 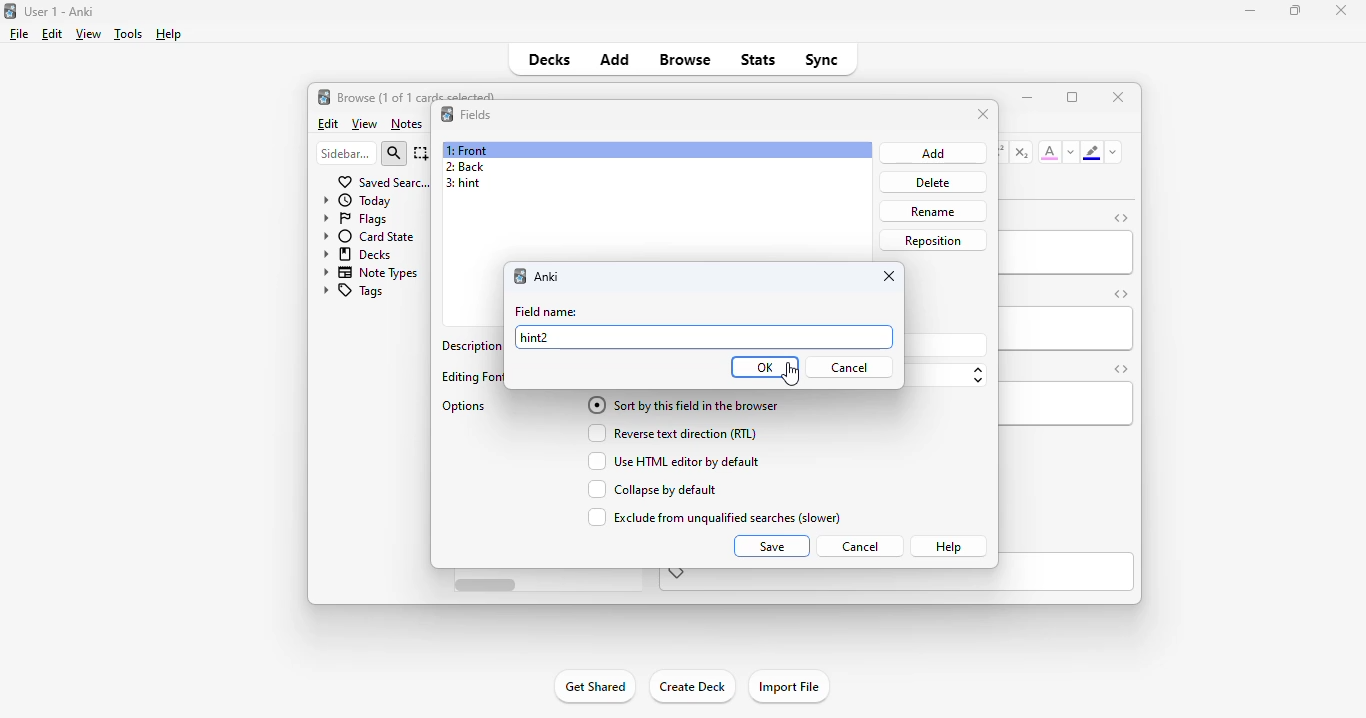 What do you see at coordinates (765, 367) in the screenshot?
I see `OK` at bounding box center [765, 367].